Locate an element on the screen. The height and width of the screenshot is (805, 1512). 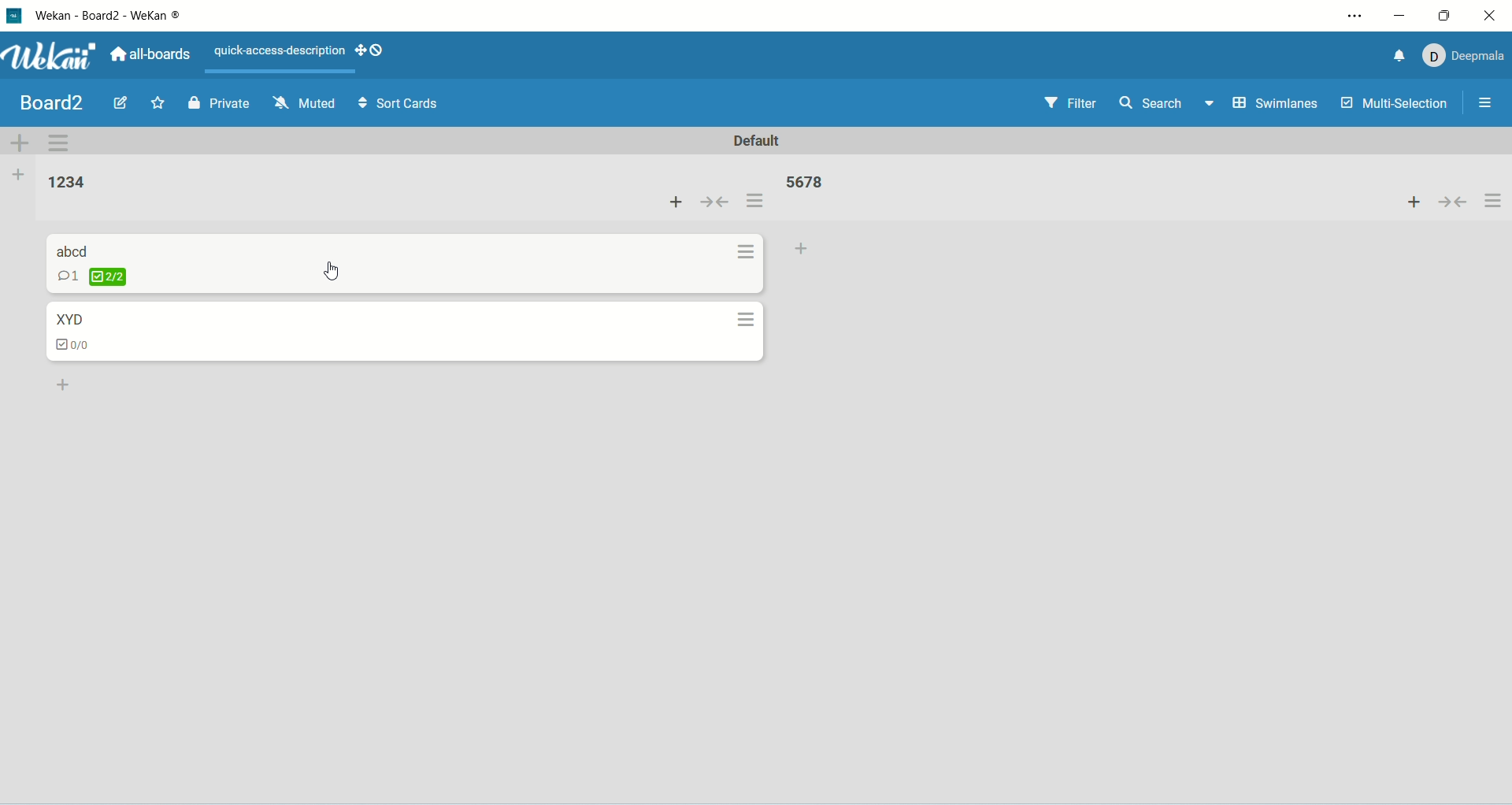
add is located at coordinates (675, 199).